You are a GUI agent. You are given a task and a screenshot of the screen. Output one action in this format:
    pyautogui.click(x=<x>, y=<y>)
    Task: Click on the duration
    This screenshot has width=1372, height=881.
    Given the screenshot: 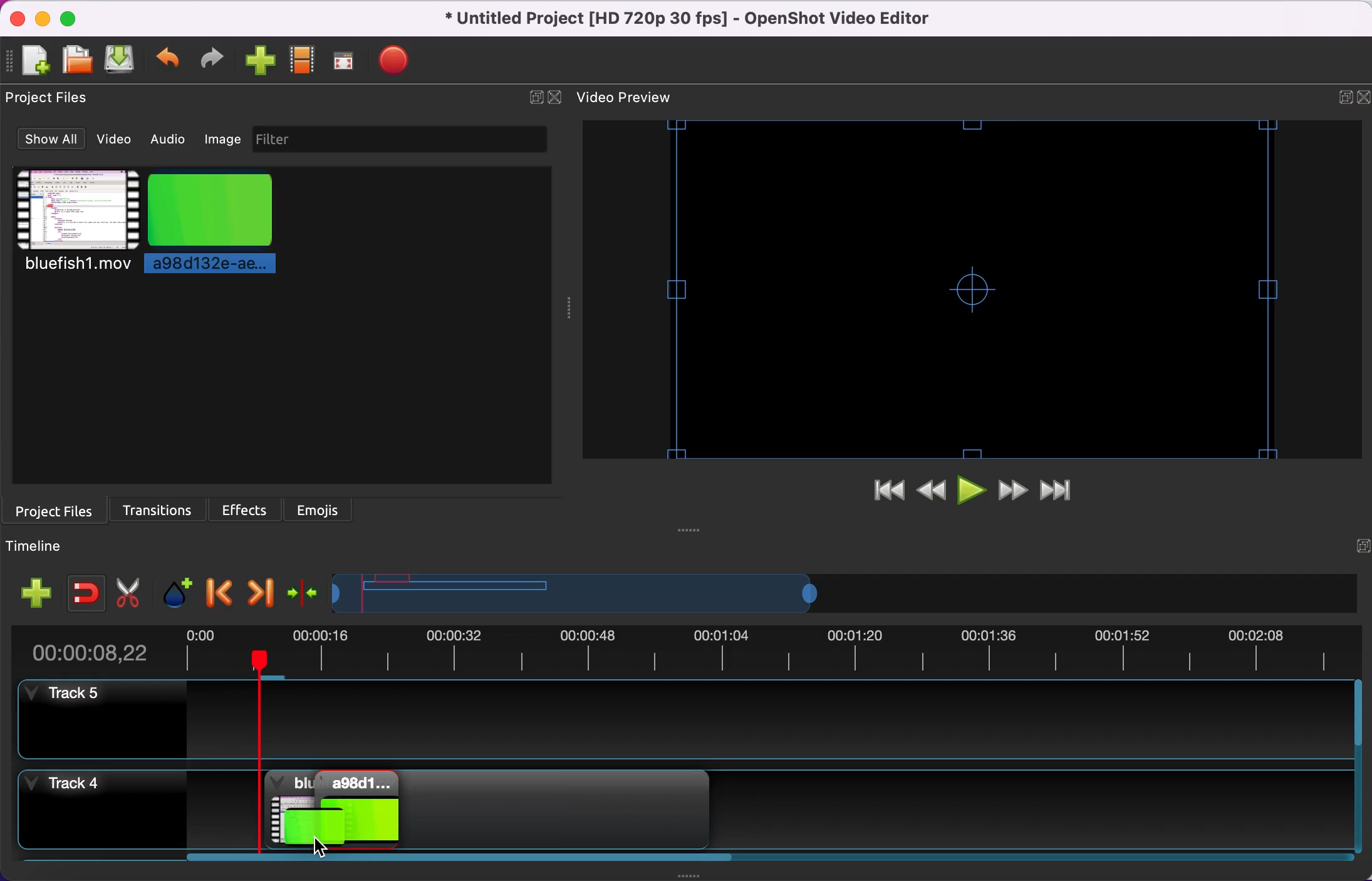 What is the action you would take?
    pyautogui.click(x=695, y=649)
    